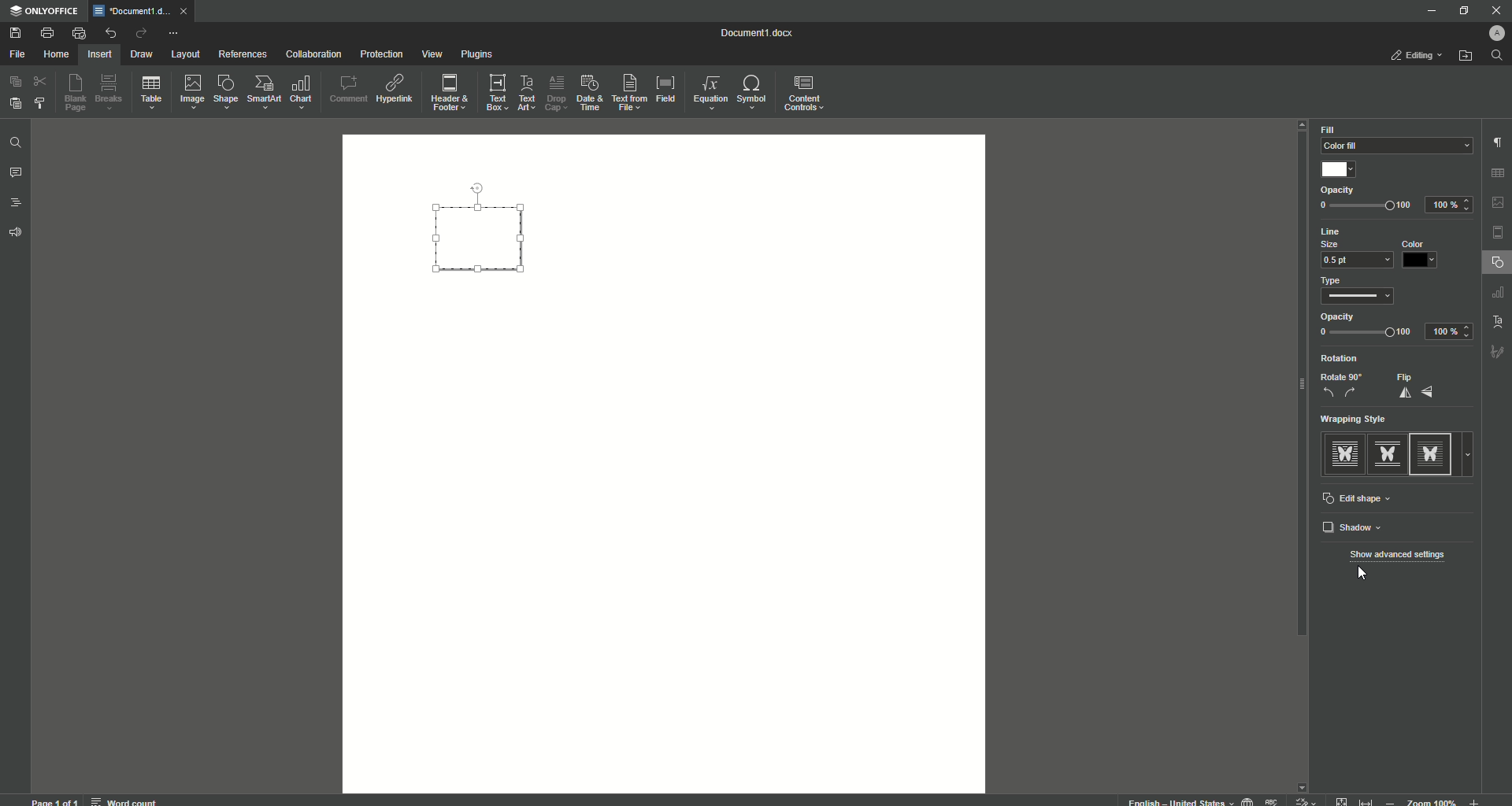 The width and height of the screenshot is (1512, 806). What do you see at coordinates (1495, 320) in the screenshot?
I see `Text Art Settings` at bounding box center [1495, 320].